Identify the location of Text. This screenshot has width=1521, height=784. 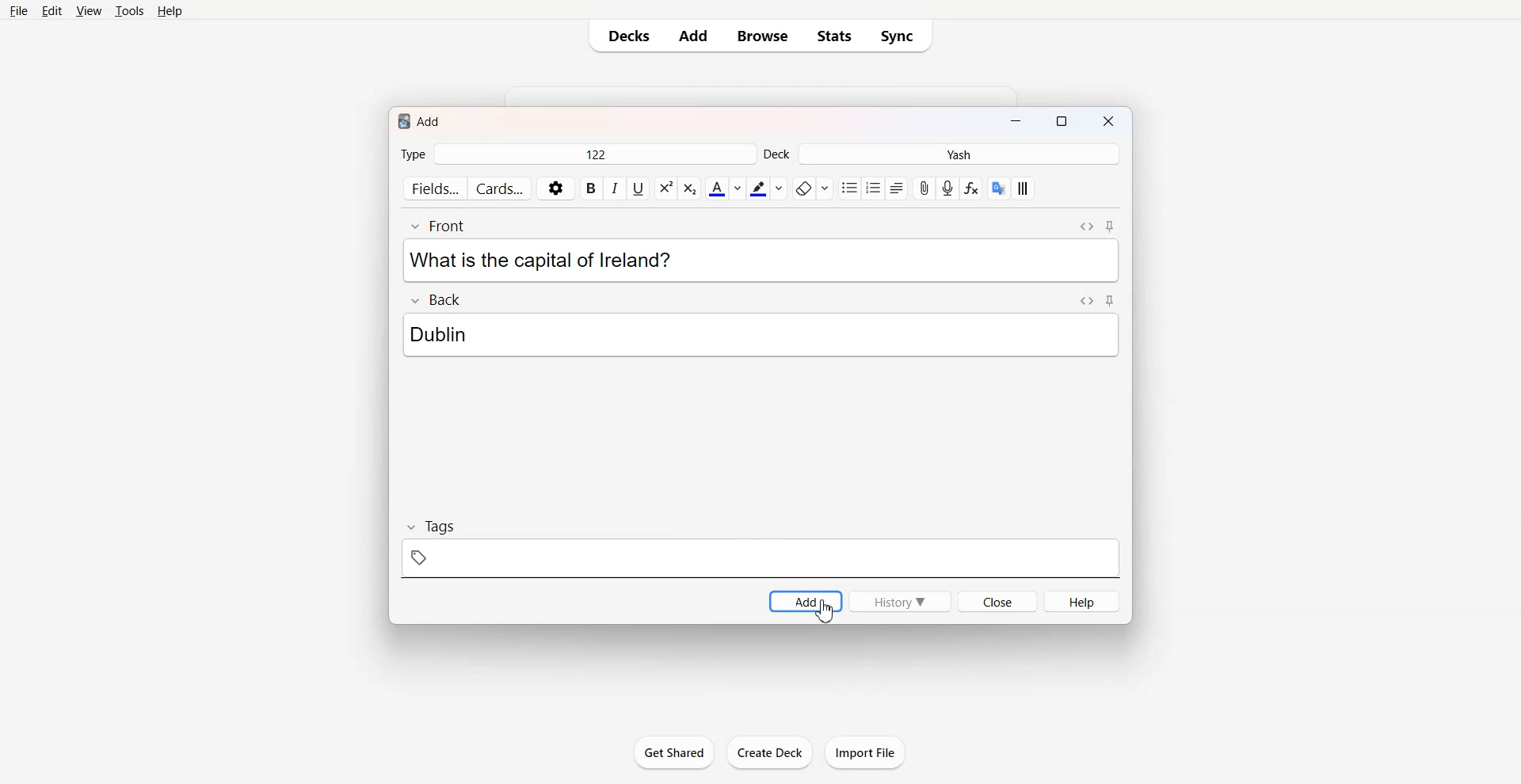
(540, 261).